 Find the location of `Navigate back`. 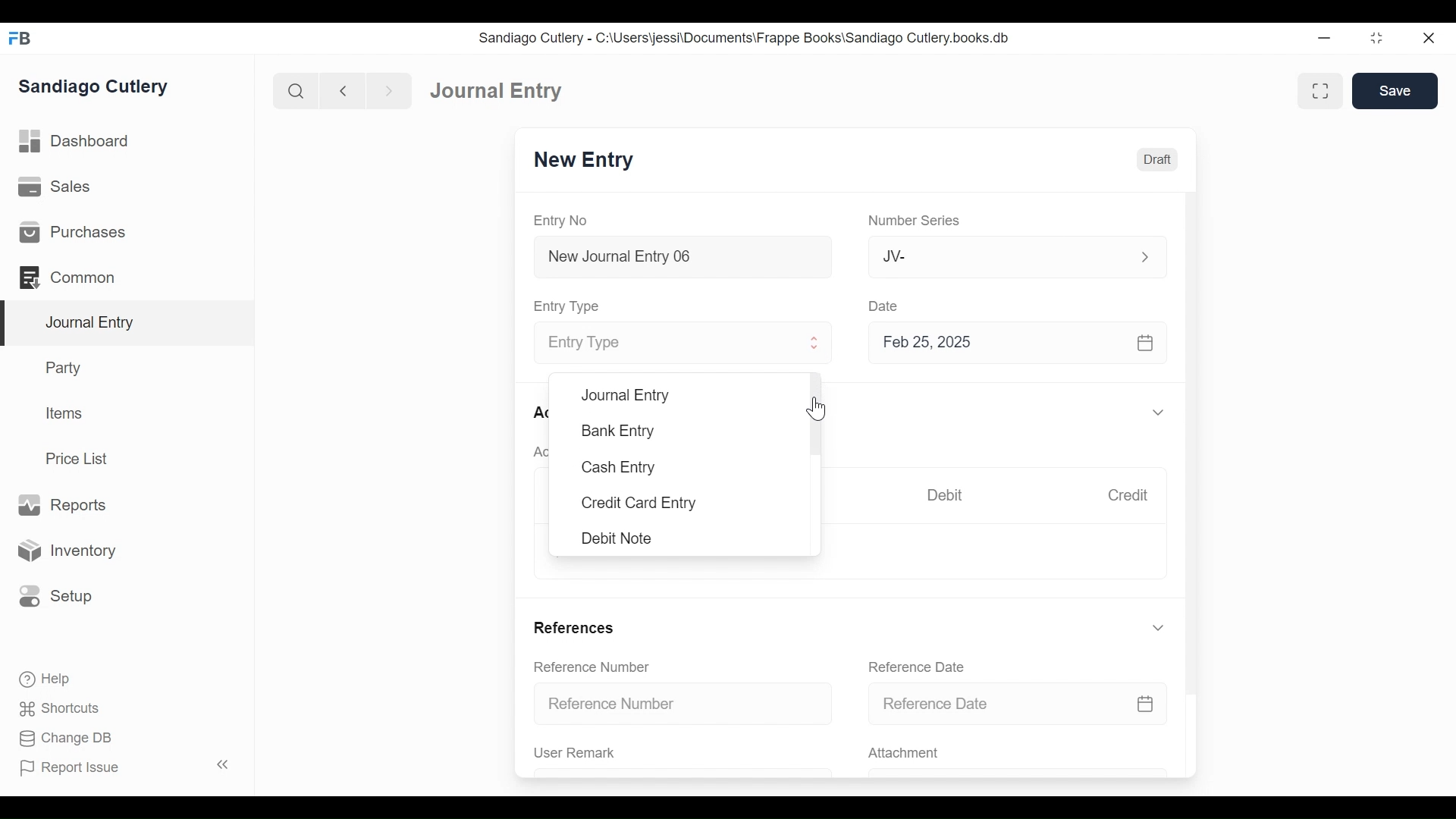

Navigate back is located at coordinates (343, 93).